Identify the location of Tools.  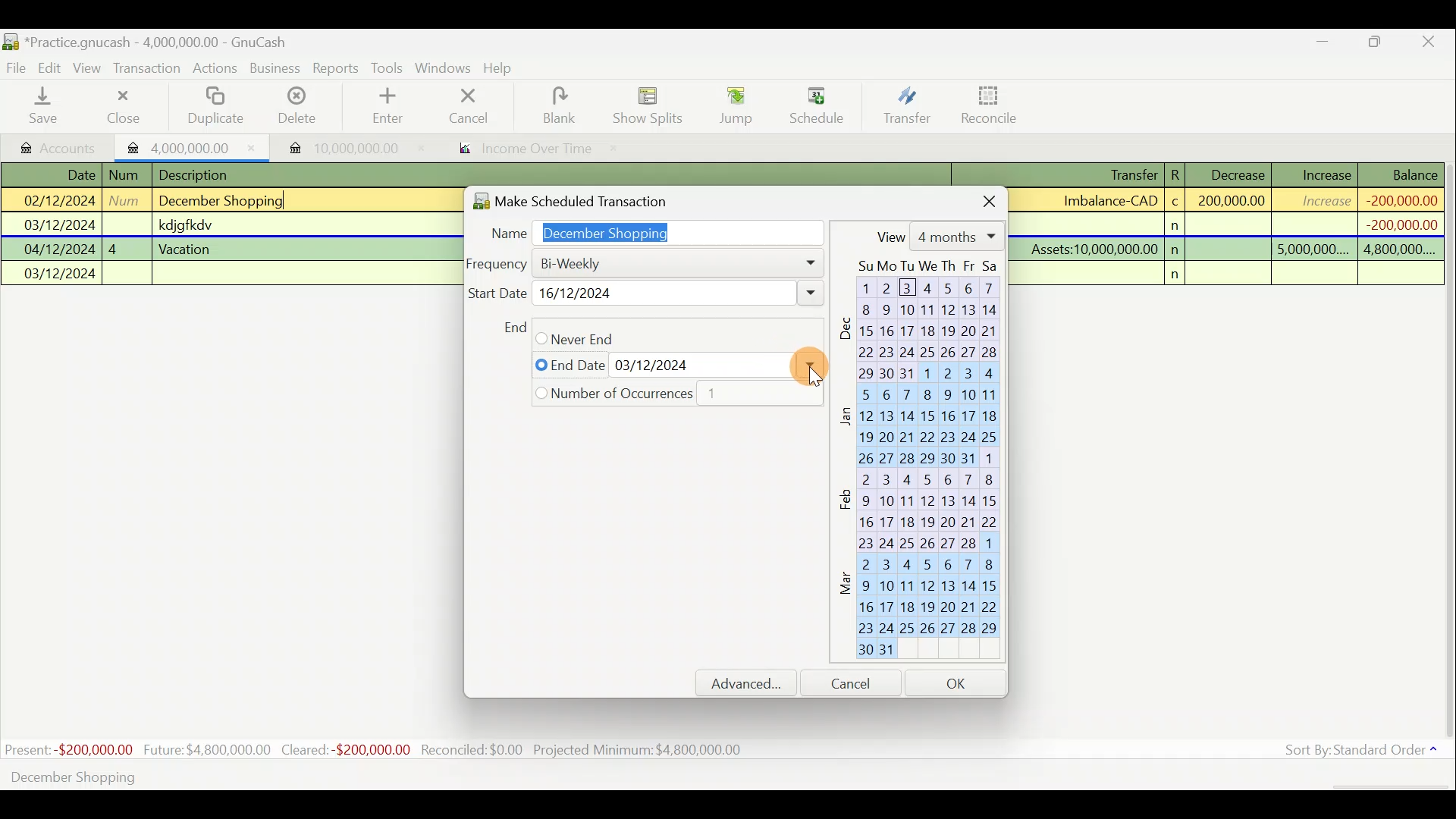
(389, 68).